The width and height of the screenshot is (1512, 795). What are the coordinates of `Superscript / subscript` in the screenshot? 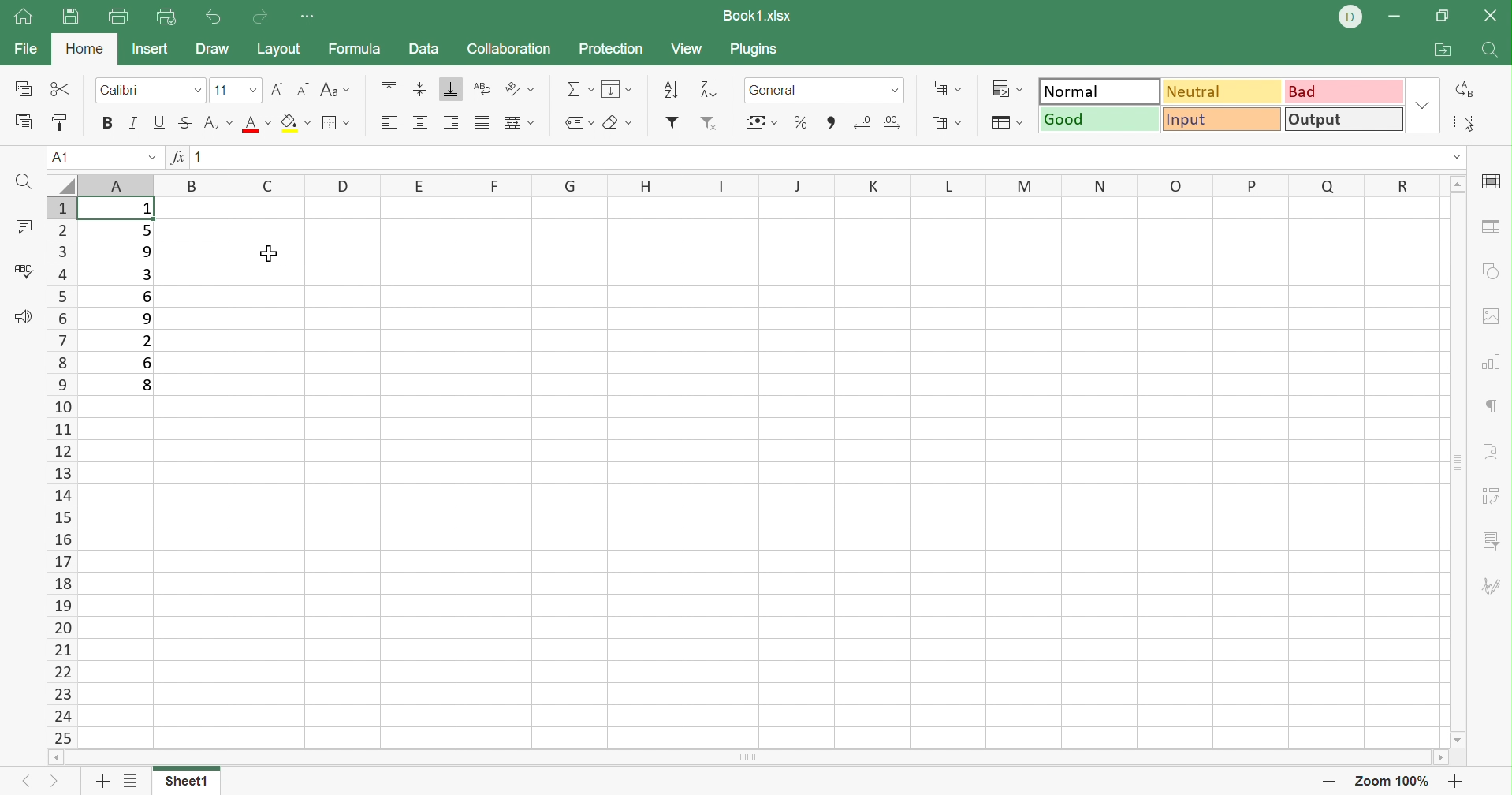 It's located at (218, 123).